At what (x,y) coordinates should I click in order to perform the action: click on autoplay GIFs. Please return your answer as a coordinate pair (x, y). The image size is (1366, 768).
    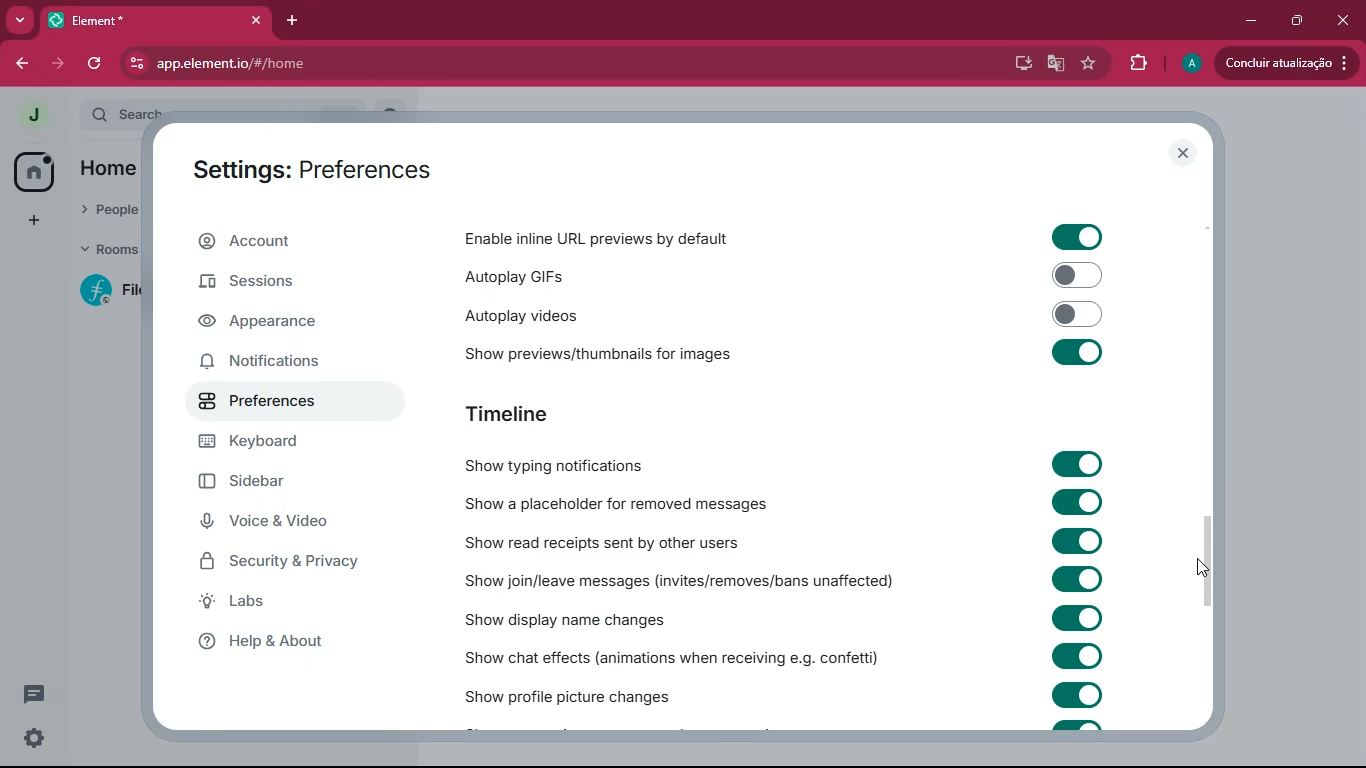
    Looking at the image, I should click on (599, 274).